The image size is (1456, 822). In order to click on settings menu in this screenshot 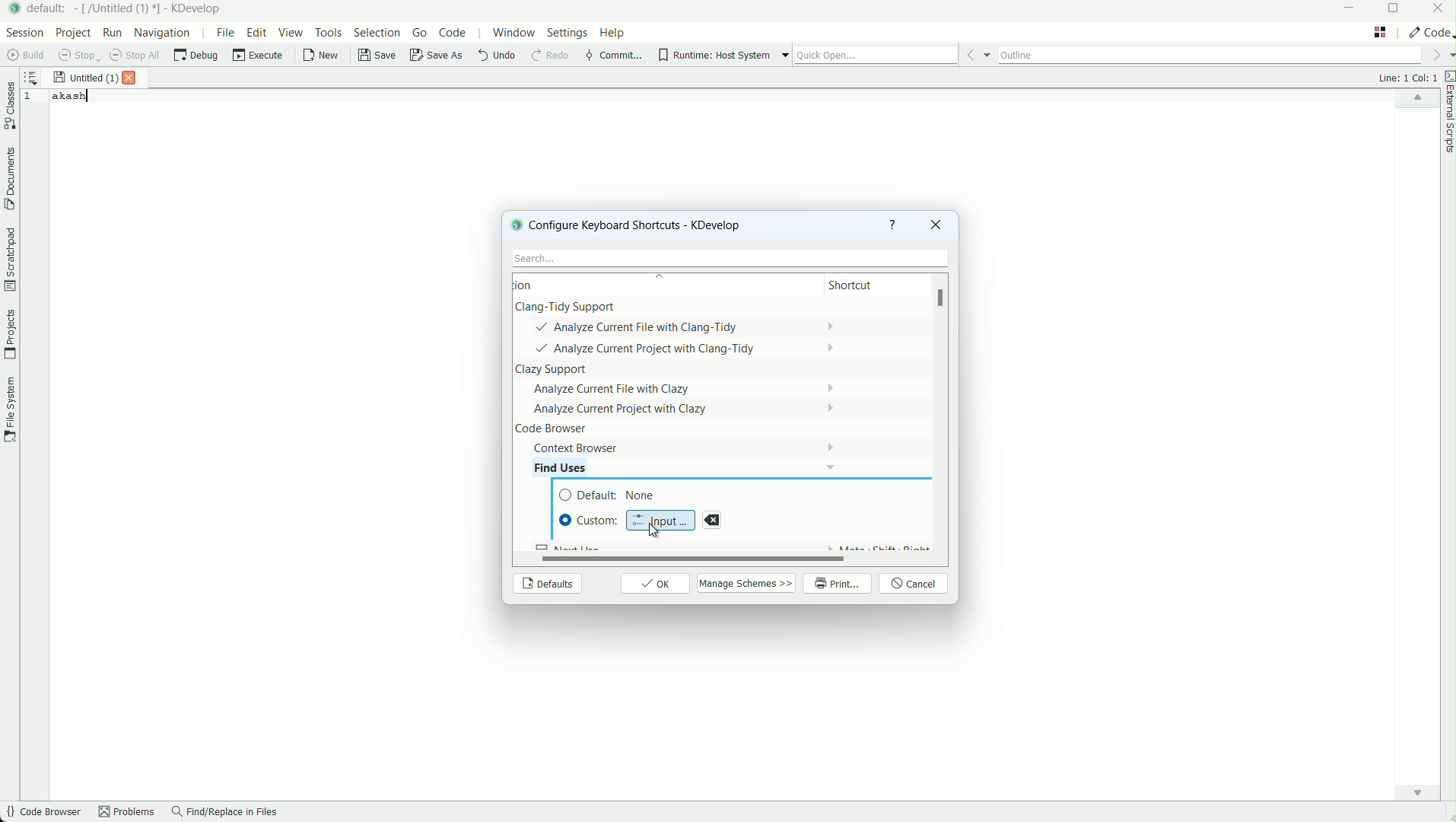, I will do `click(567, 35)`.